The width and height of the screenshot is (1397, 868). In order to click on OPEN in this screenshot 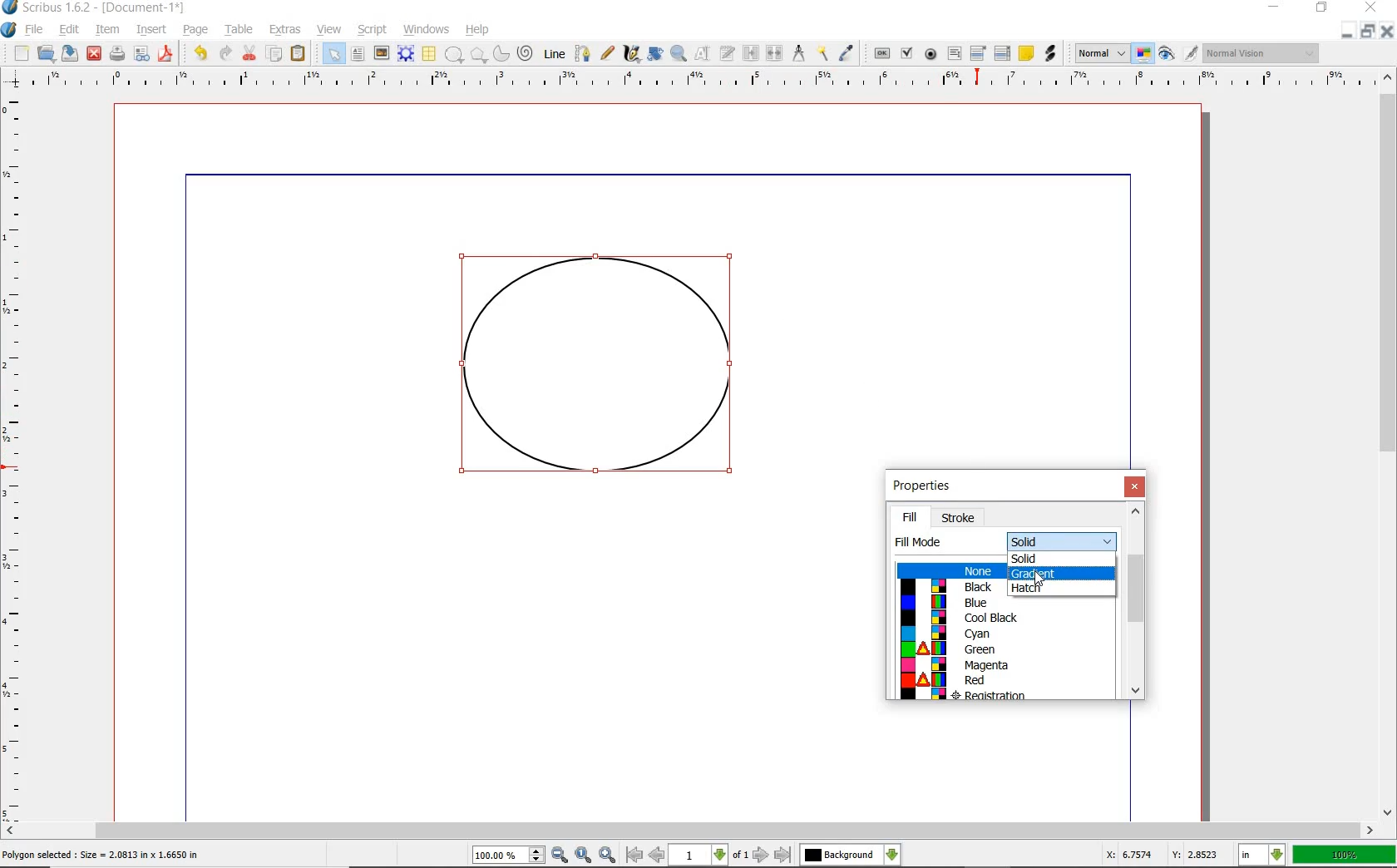, I will do `click(46, 52)`.